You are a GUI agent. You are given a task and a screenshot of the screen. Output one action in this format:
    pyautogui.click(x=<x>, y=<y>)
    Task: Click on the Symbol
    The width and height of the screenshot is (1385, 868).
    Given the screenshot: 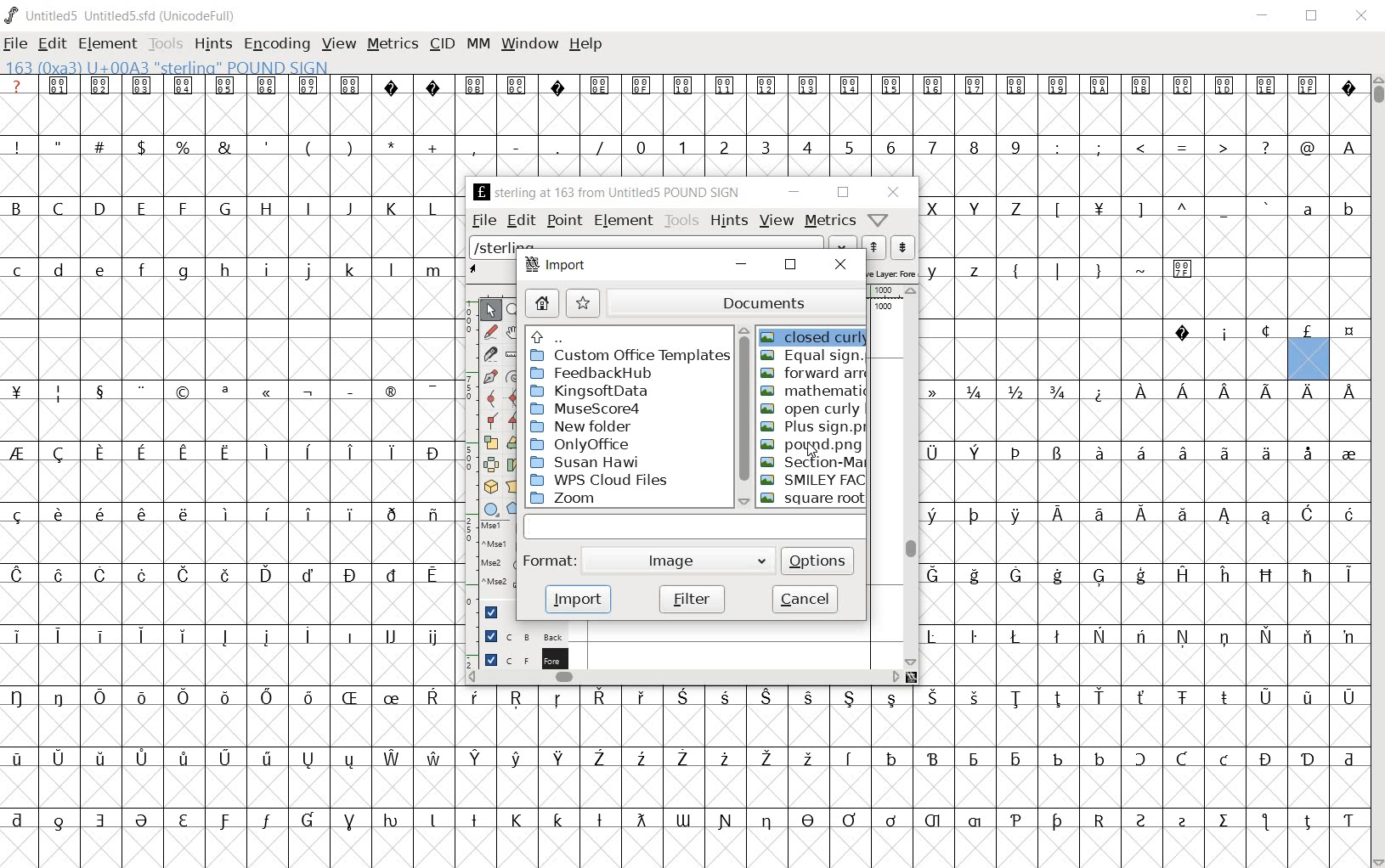 What is the action you would take?
    pyautogui.click(x=1225, y=516)
    